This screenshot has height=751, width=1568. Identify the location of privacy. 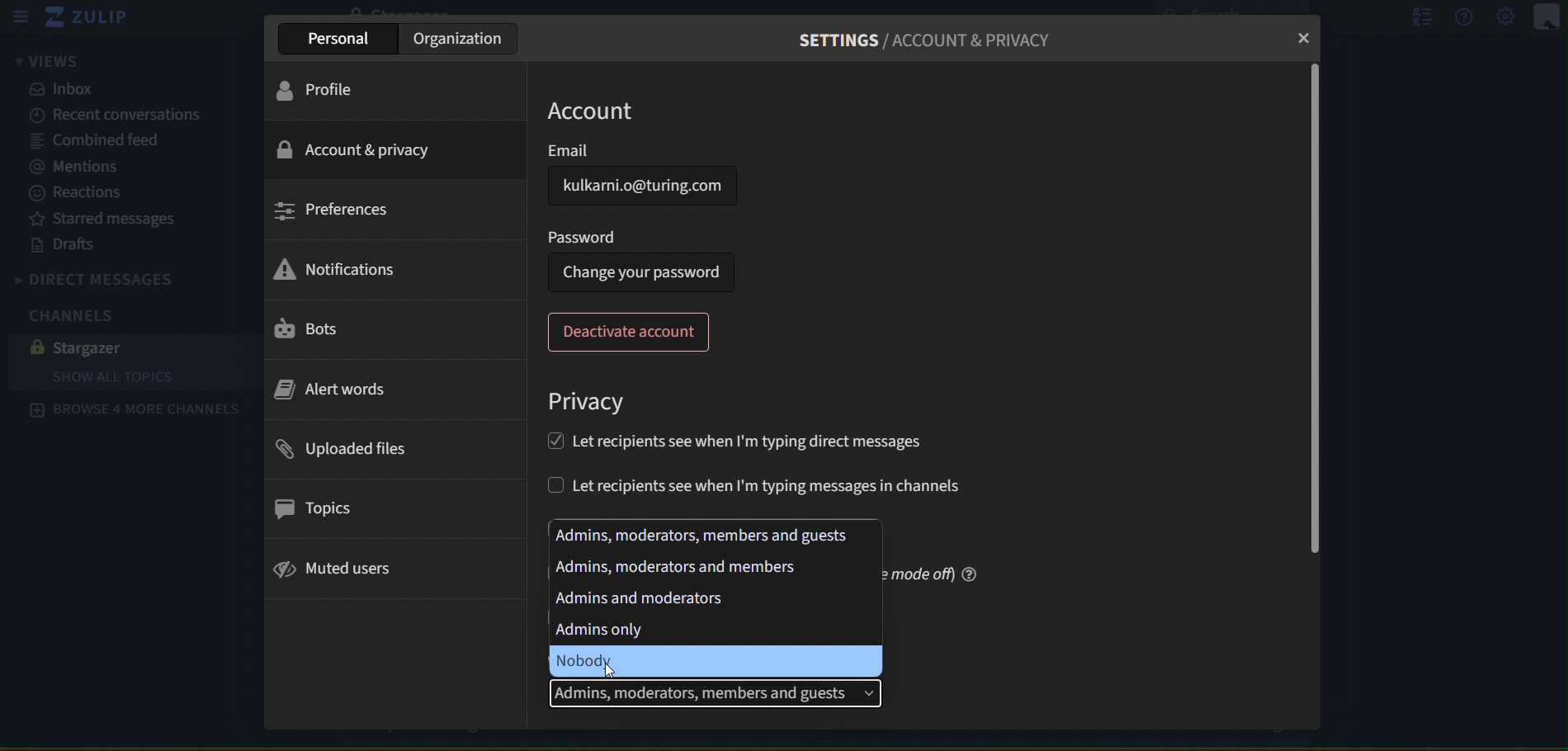
(588, 402).